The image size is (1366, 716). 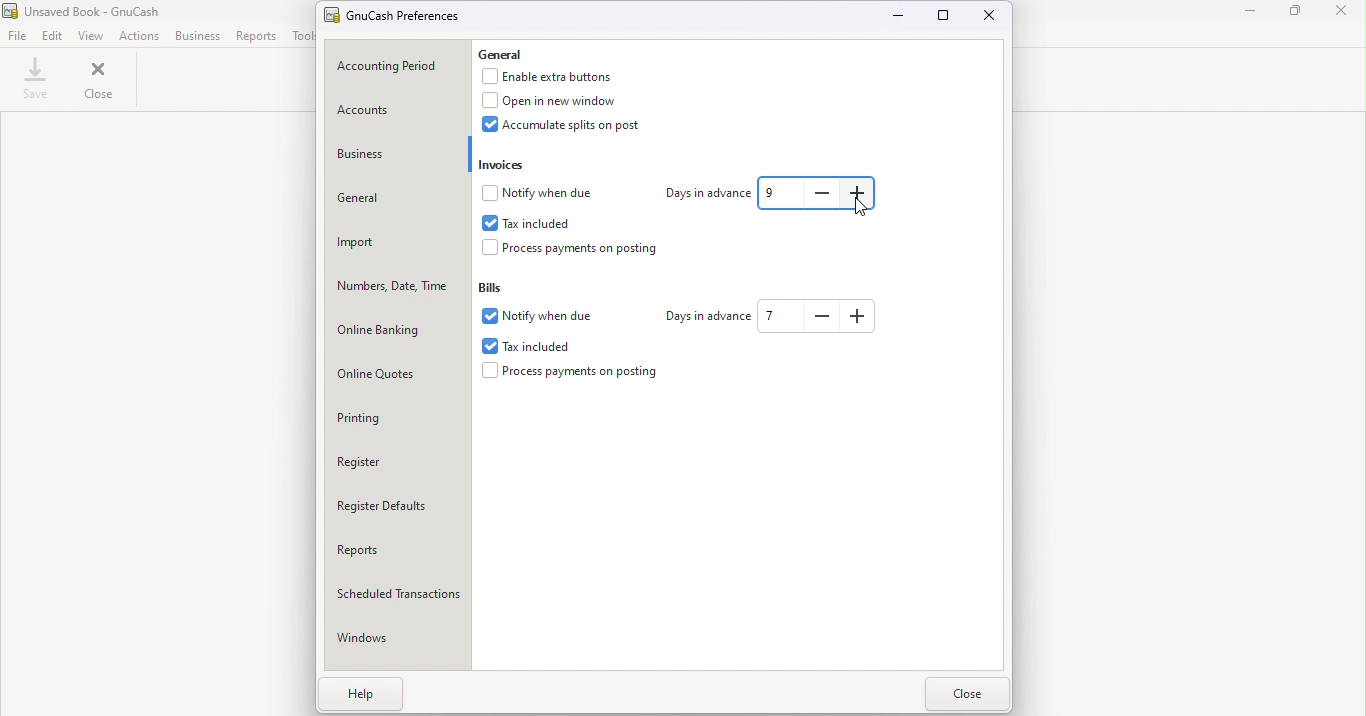 I want to click on Accounts, so click(x=396, y=109).